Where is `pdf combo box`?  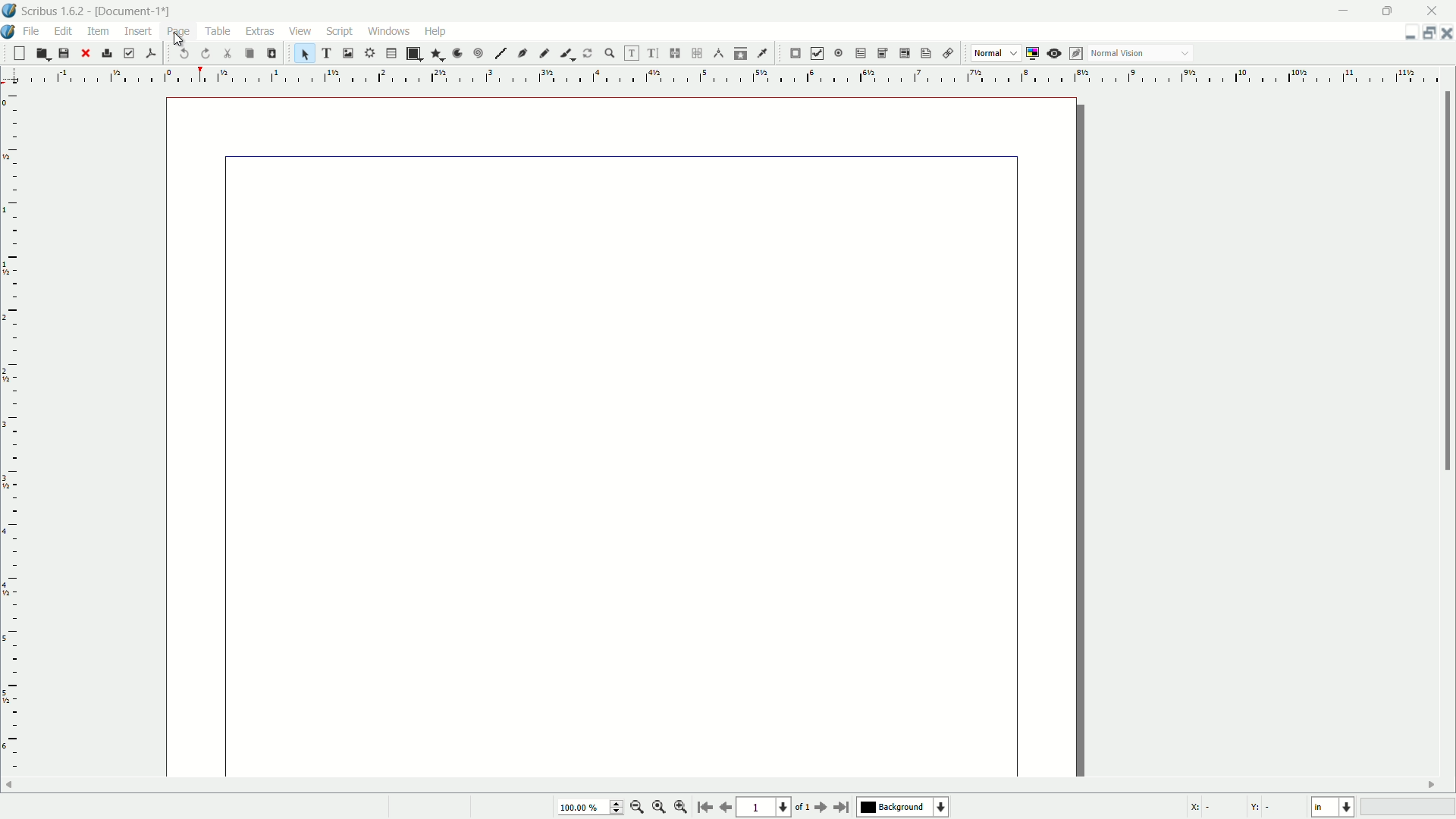
pdf combo box is located at coordinates (881, 52).